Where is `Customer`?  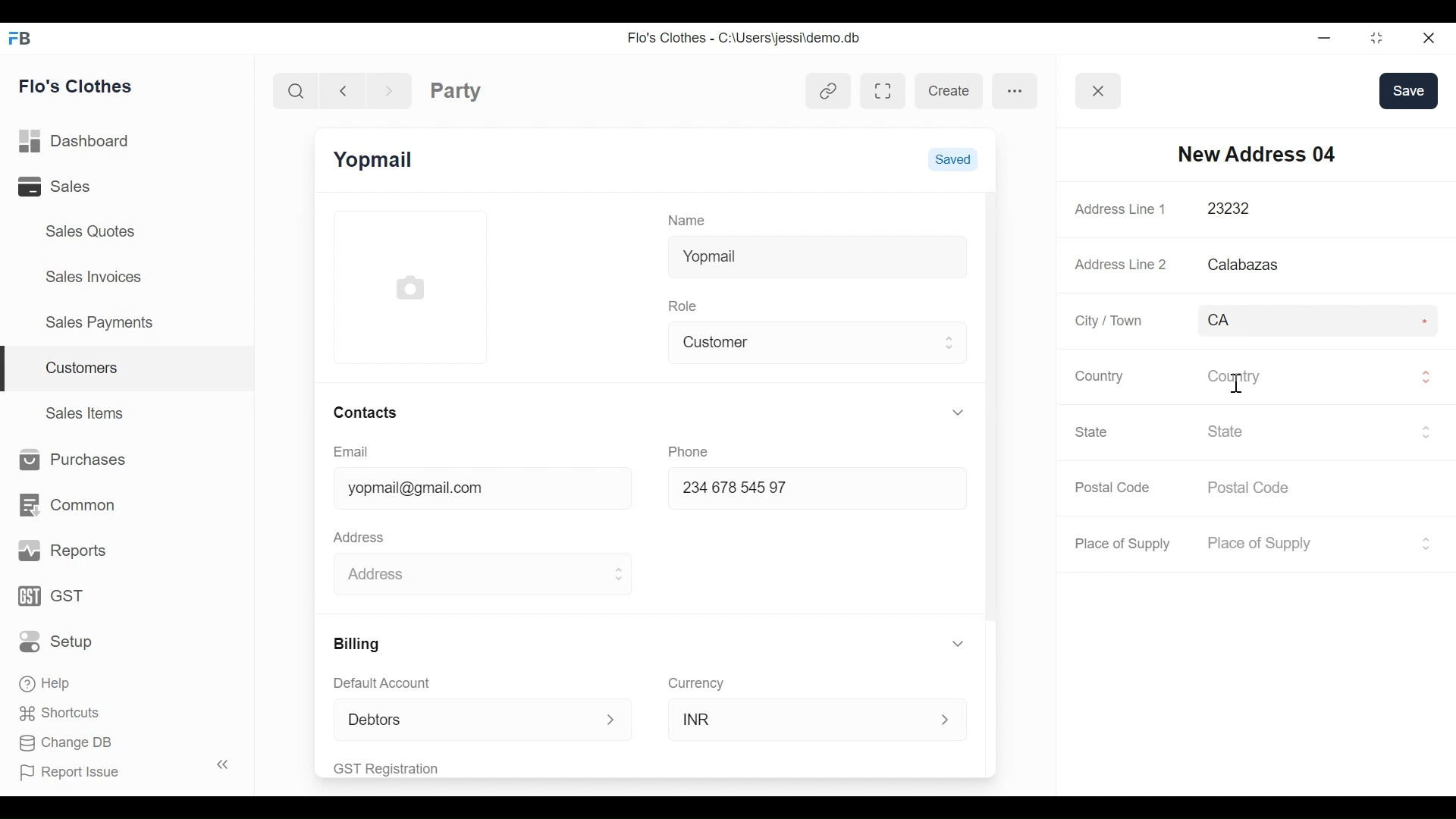
Customer is located at coordinates (806, 340).